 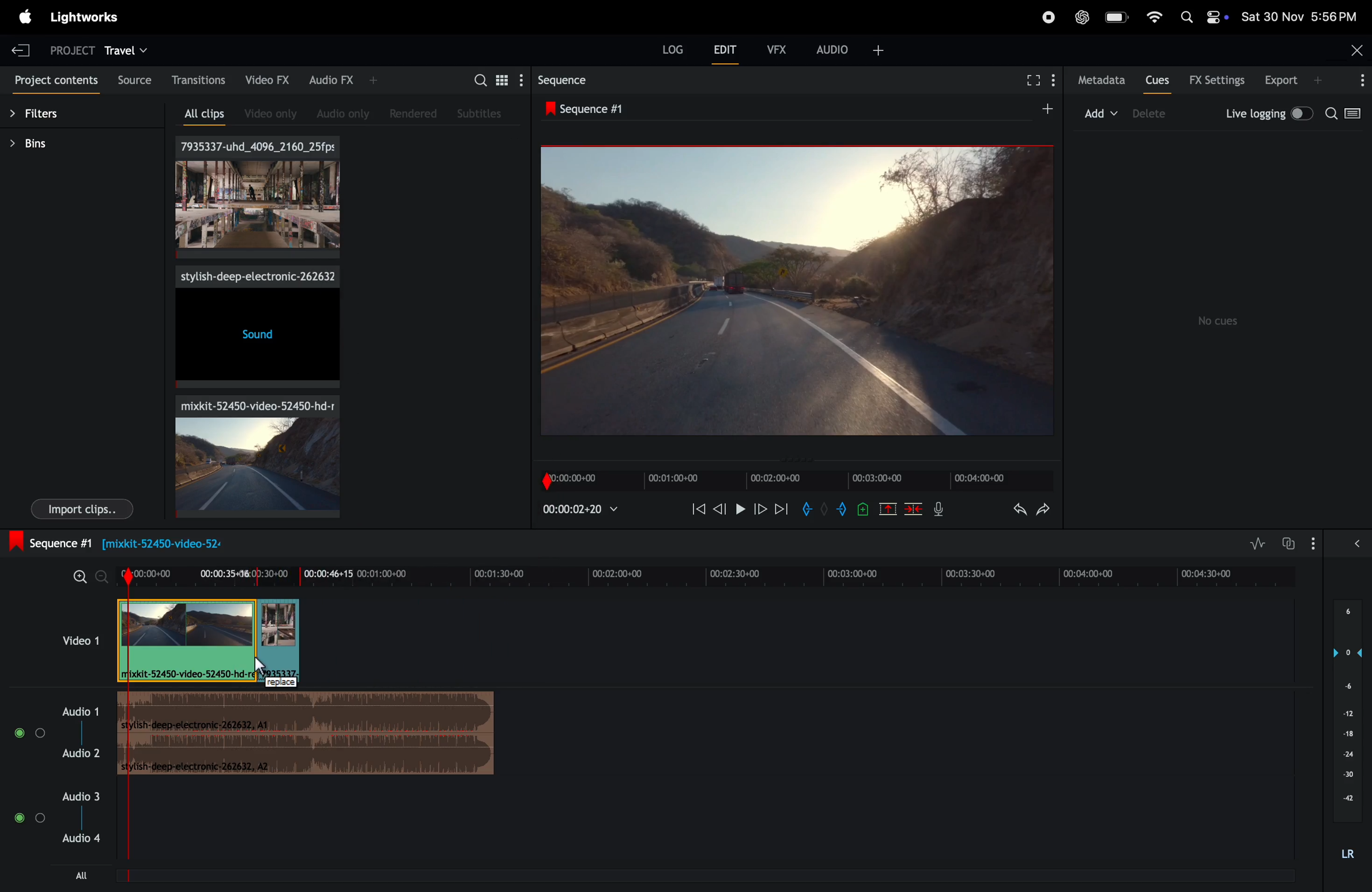 I want to click on exit, so click(x=21, y=50).